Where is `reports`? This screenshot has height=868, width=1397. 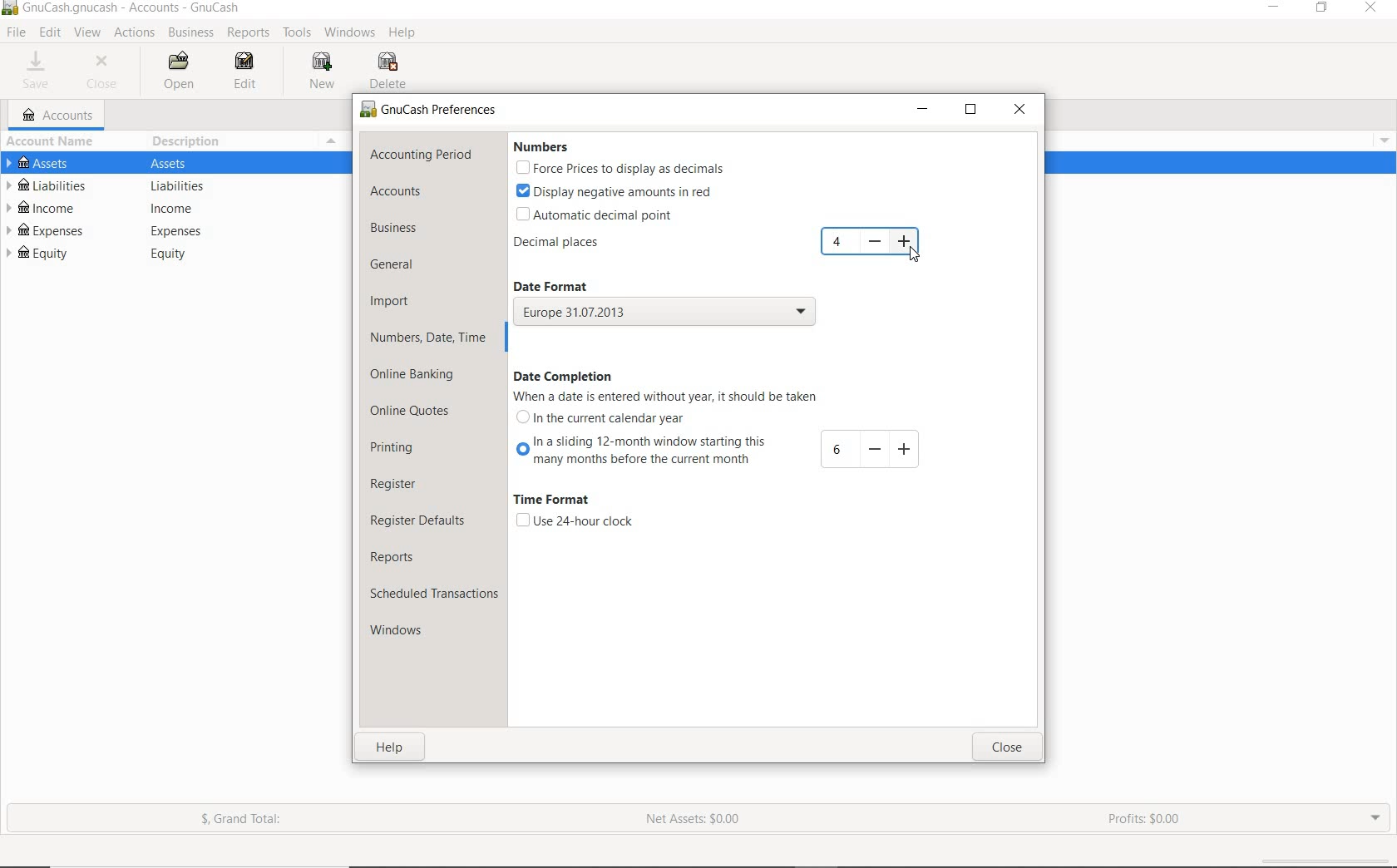
reports is located at coordinates (406, 555).